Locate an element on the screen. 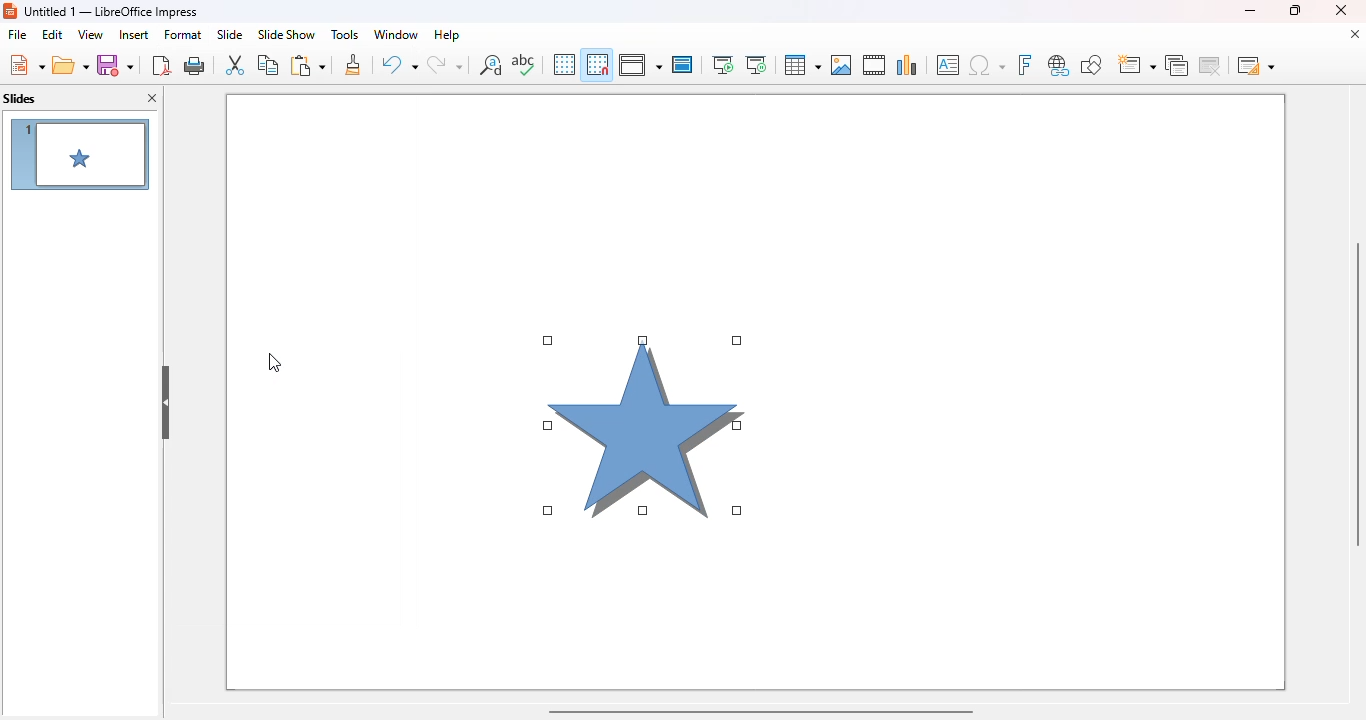  duplicate slide is located at coordinates (1177, 65).